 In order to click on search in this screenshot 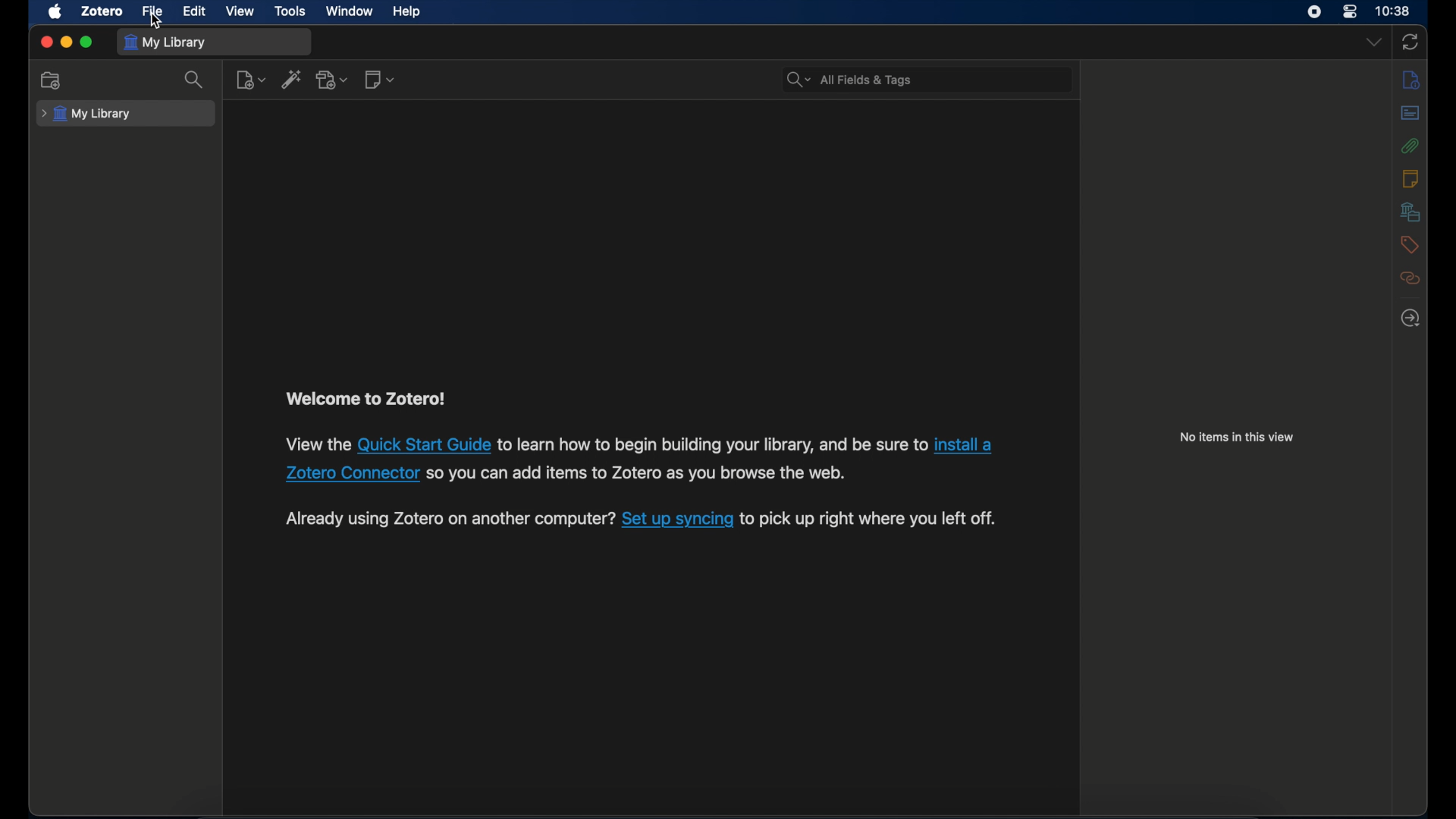, I will do `click(194, 79)`.